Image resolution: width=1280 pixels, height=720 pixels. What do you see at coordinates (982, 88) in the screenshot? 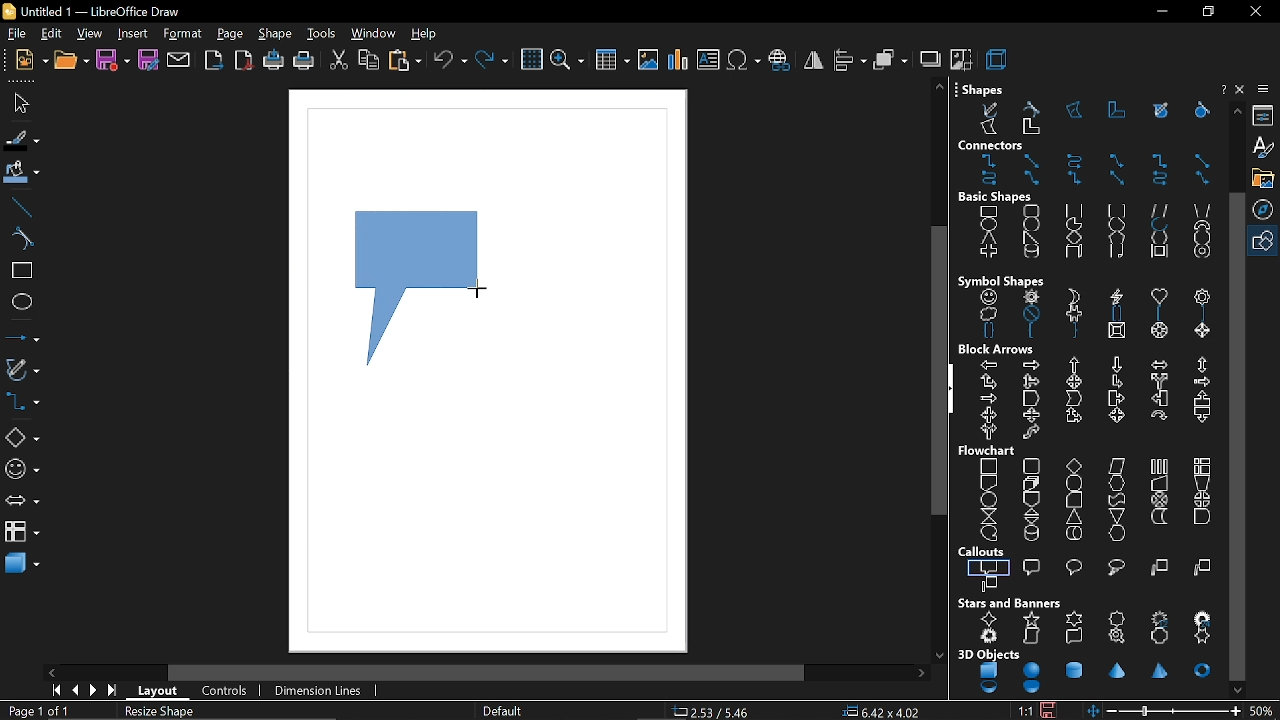
I see `shapes` at bounding box center [982, 88].